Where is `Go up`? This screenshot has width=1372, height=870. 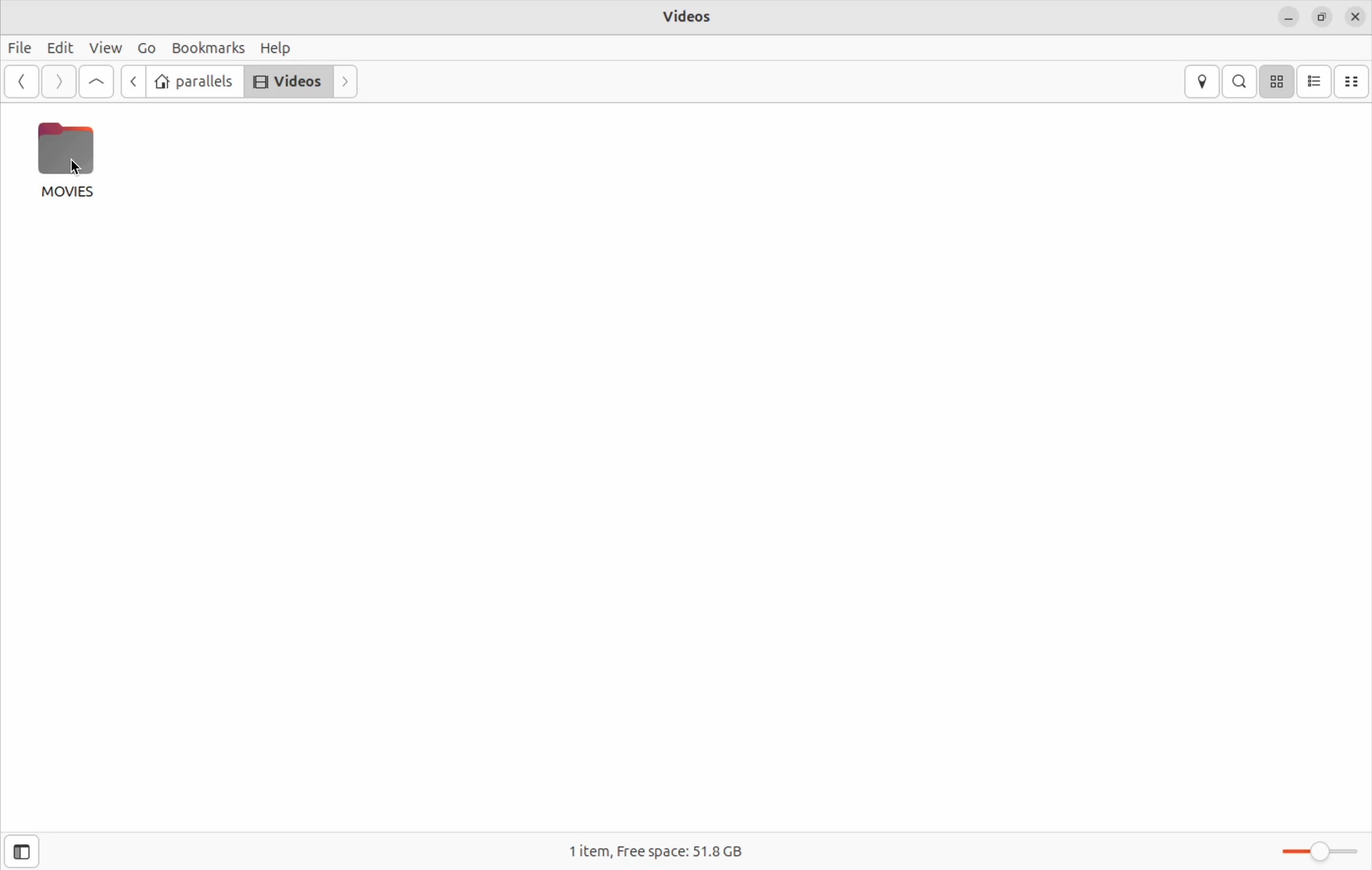
Go up is located at coordinates (96, 81).